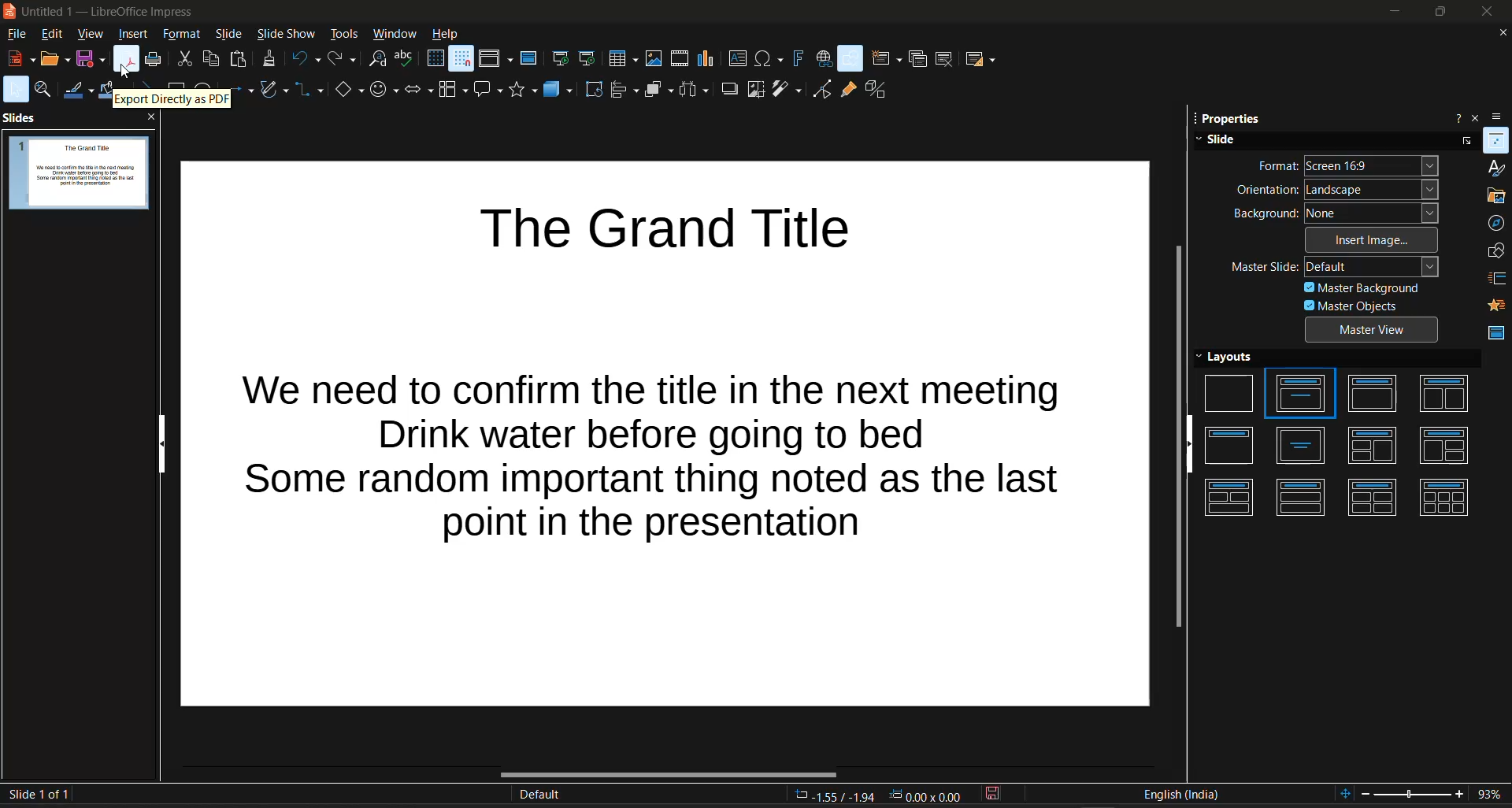 Image resolution: width=1512 pixels, height=808 pixels. I want to click on shapes, so click(1494, 250).